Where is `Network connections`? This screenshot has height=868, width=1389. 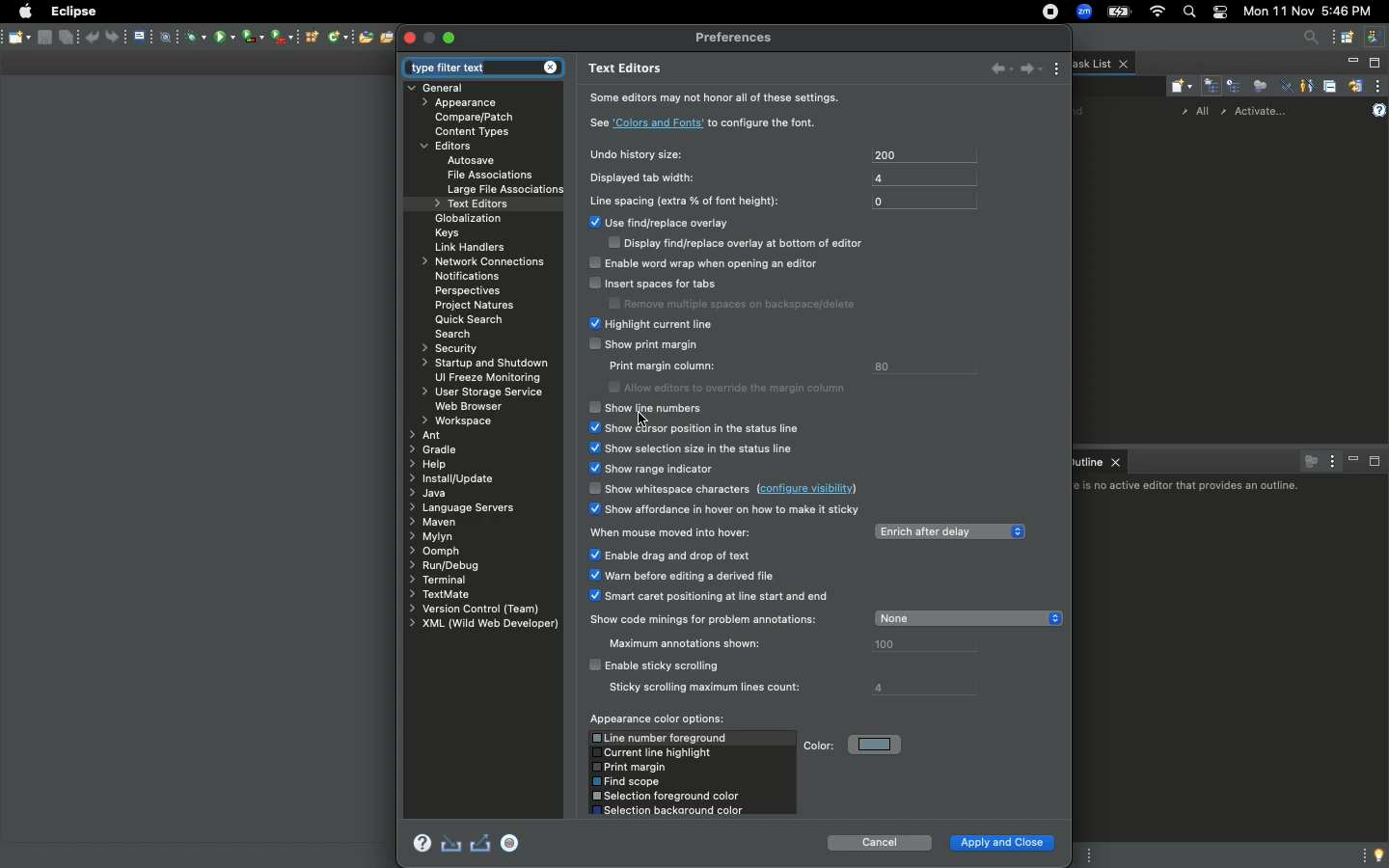 Network connections is located at coordinates (478, 261).